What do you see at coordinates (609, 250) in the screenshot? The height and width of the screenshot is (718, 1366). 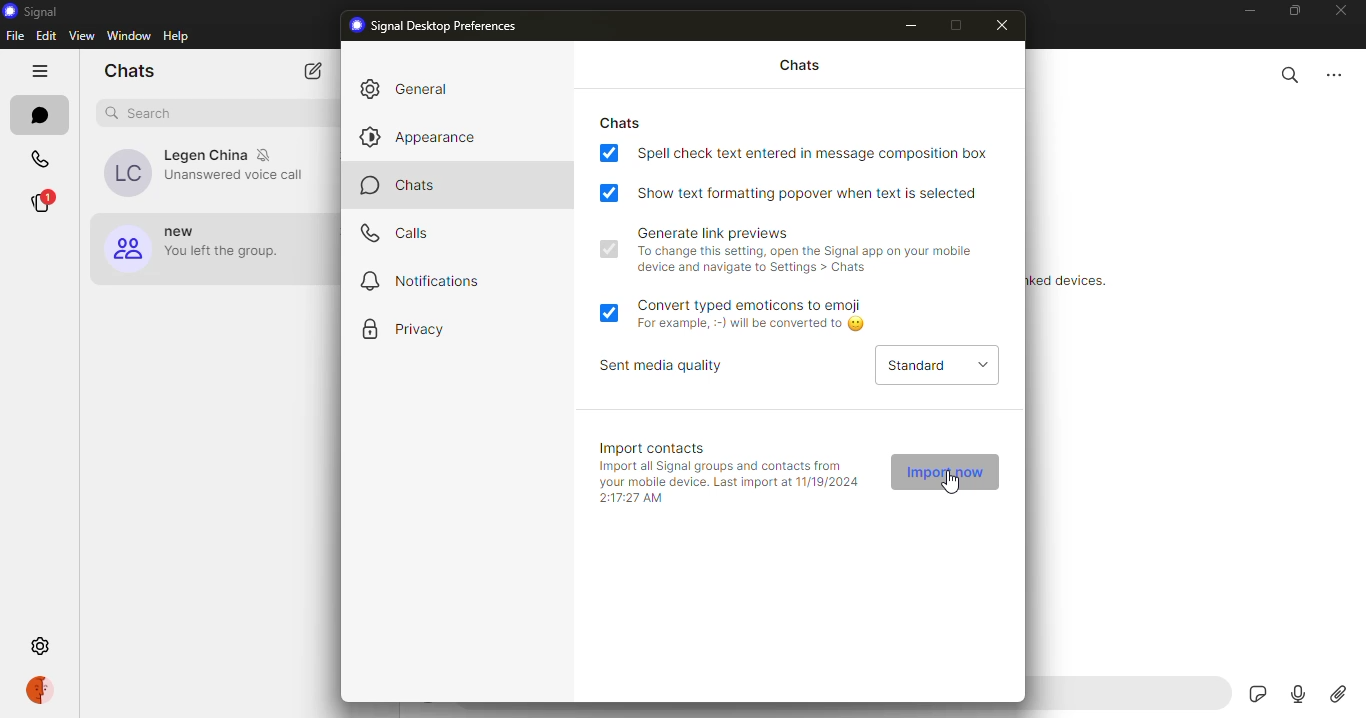 I see `enabled` at bounding box center [609, 250].